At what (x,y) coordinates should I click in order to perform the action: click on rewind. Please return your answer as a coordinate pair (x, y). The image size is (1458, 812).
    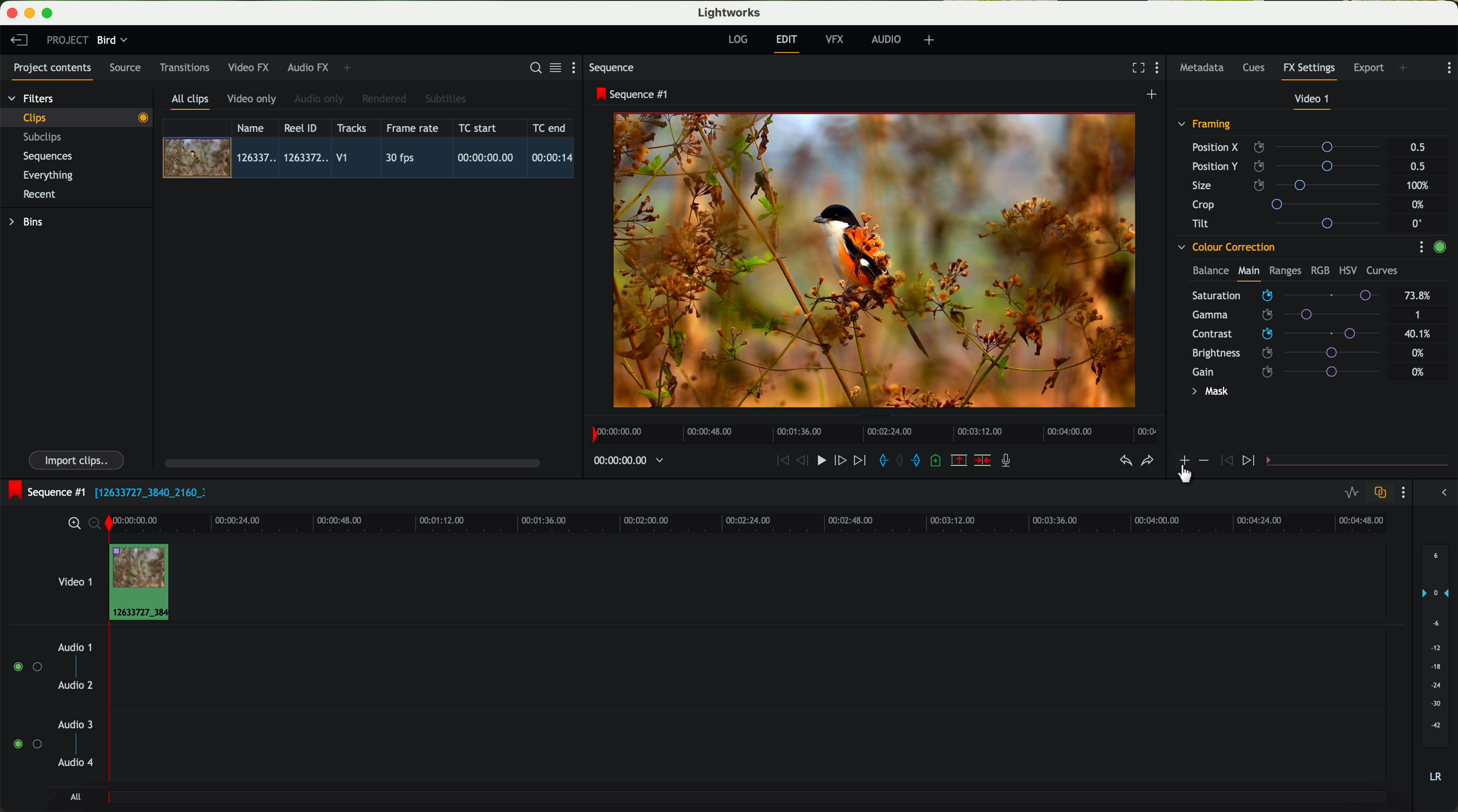
    Looking at the image, I should click on (782, 461).